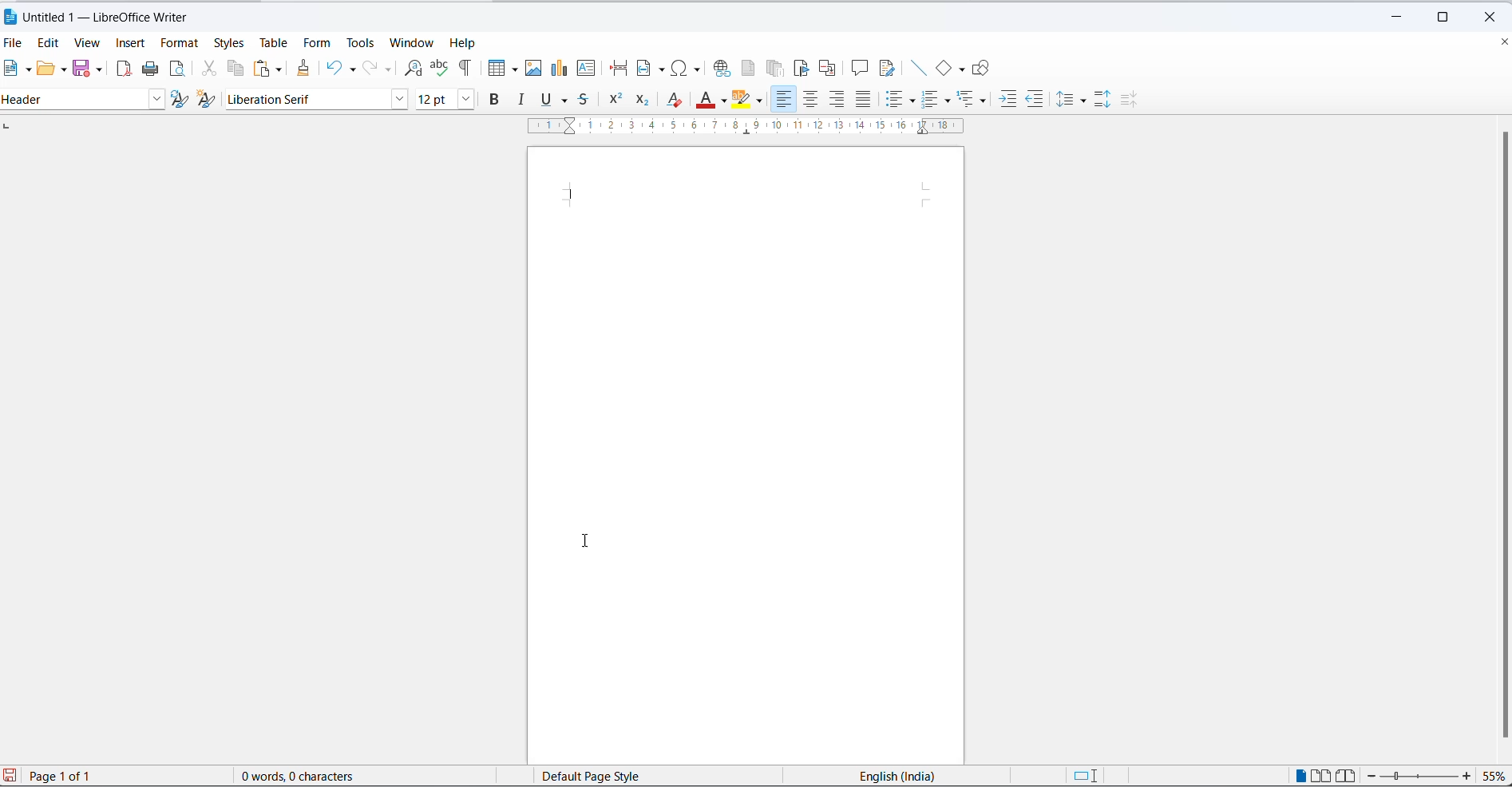 Image resolution: width=1512 pixels, height=787 pixels. Describe the element at coordinates (498, 100) in the screenshot. I see `bold` at that location.